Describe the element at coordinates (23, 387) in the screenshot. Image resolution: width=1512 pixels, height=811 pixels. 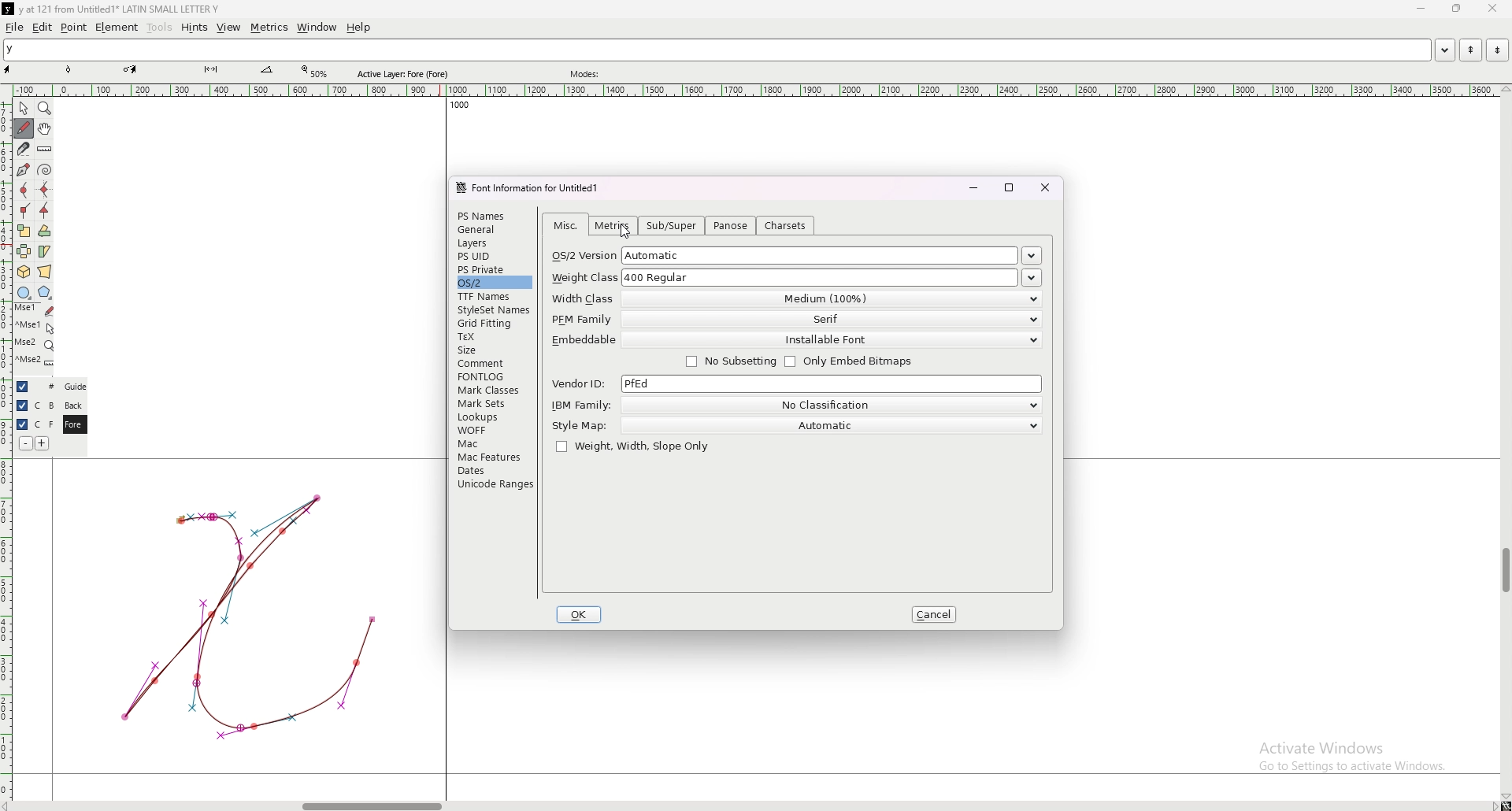
I see `hide layer` at that location.